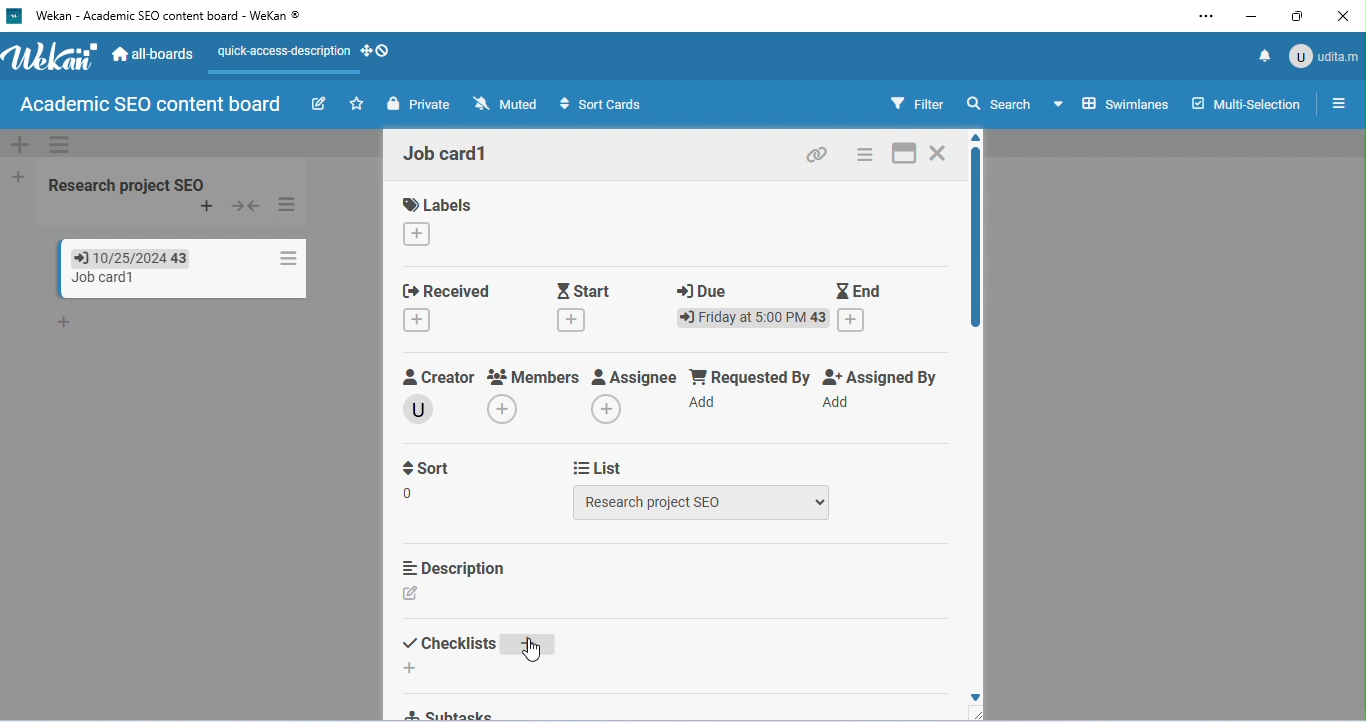  What do you see at coordinates (973, 238) in the screenshot?
I see `vertical scroll bar` at bounding box center [973, 238].